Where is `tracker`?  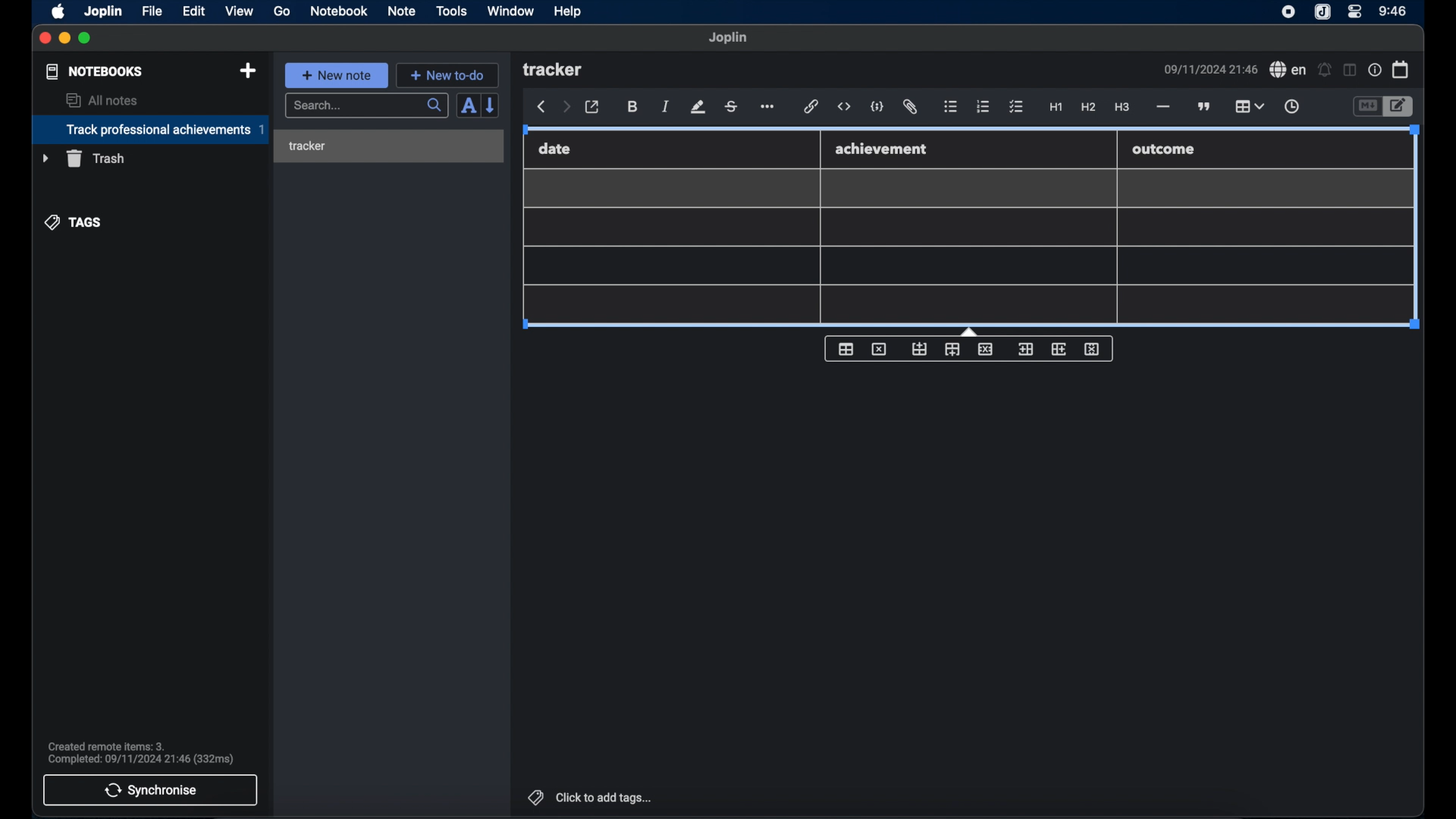 tracker is located at coordinates (554, 71).